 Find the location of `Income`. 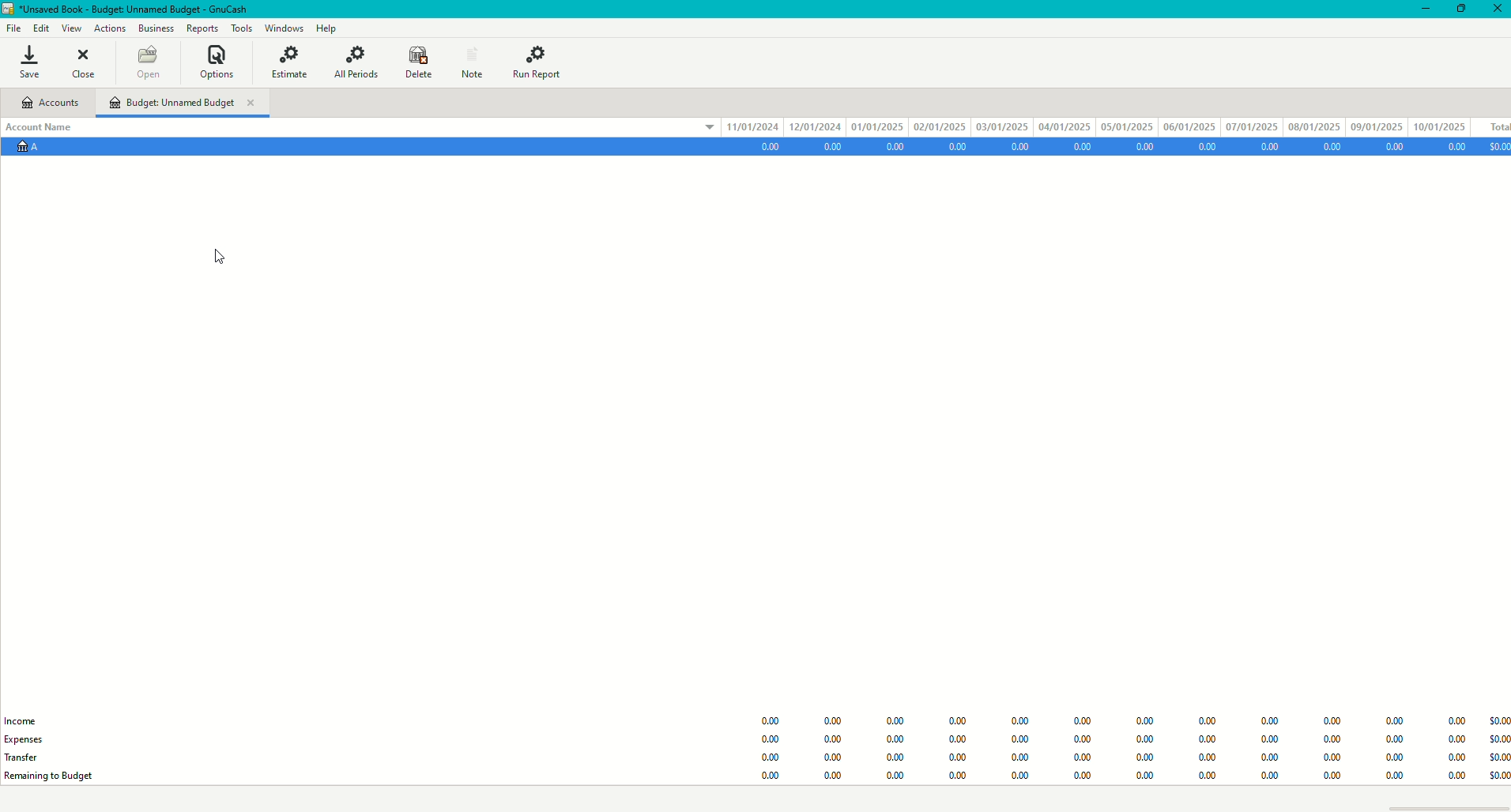

Income is located at coordinates (21, 720).